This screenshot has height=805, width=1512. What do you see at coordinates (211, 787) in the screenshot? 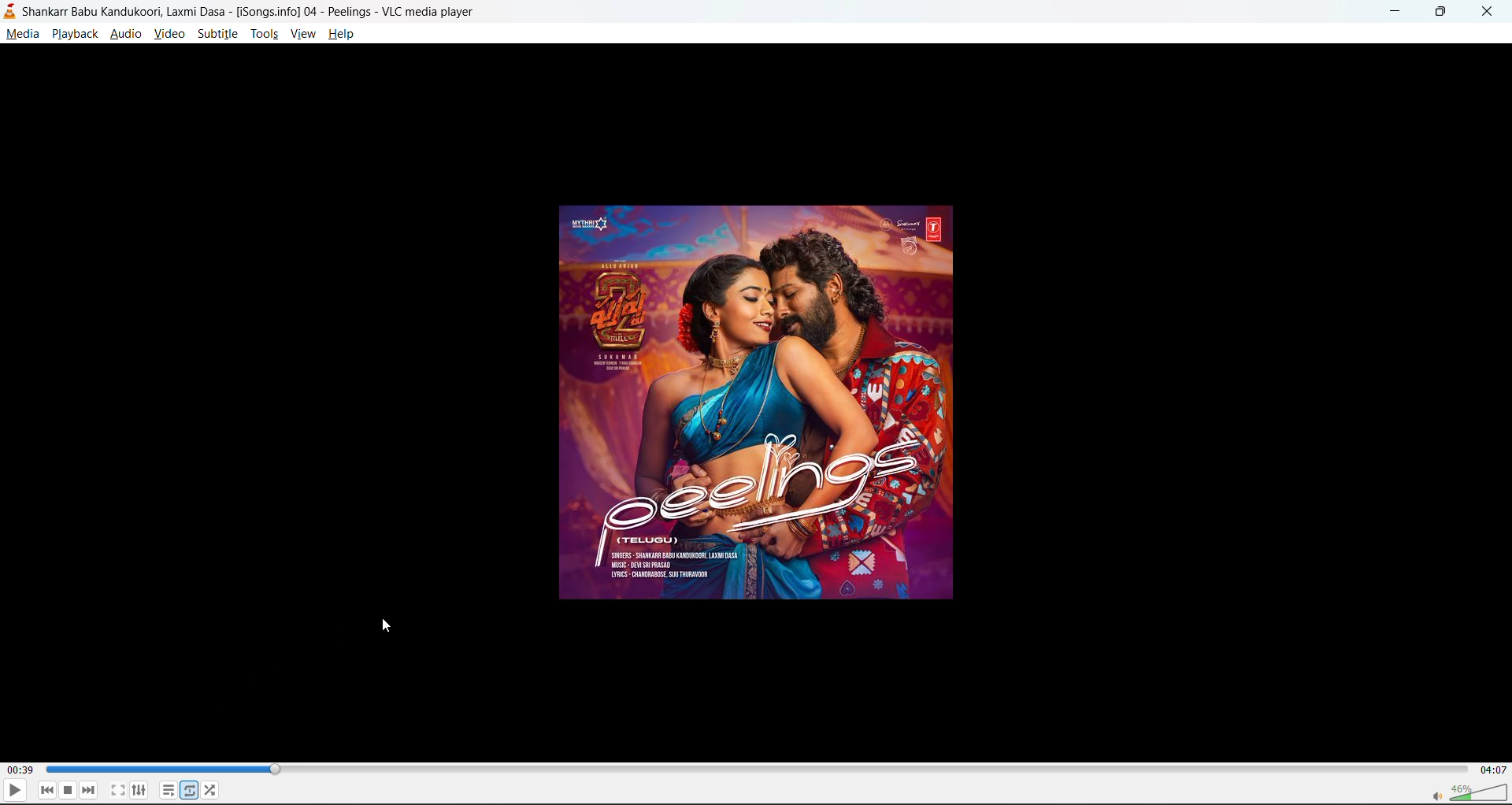
I see `random` at bounding box center [211, 787].